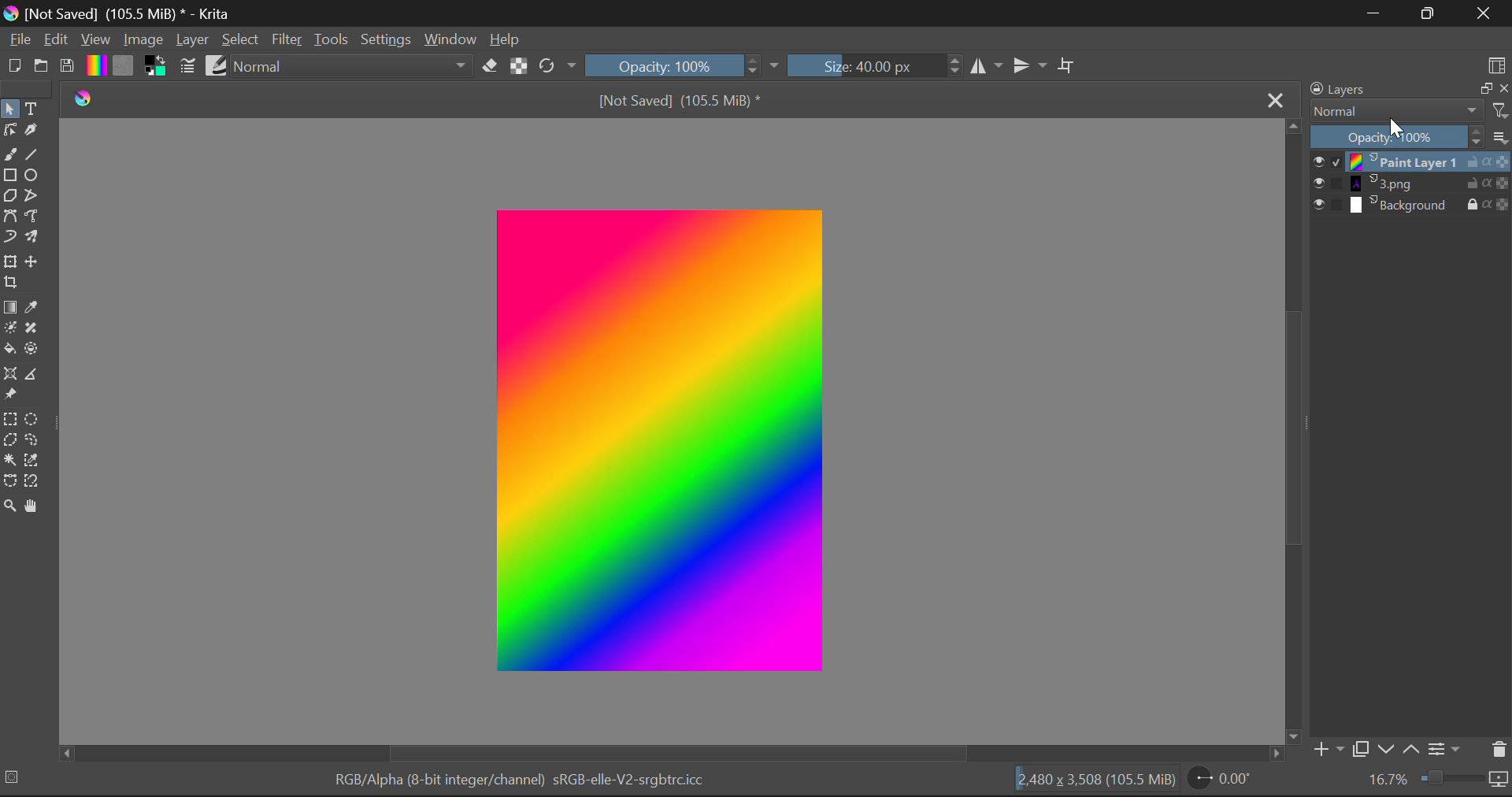  What do you see at coordinates (1068, 65) in the screenshot?
I see `Crop` at bounding box center [1068, 65].